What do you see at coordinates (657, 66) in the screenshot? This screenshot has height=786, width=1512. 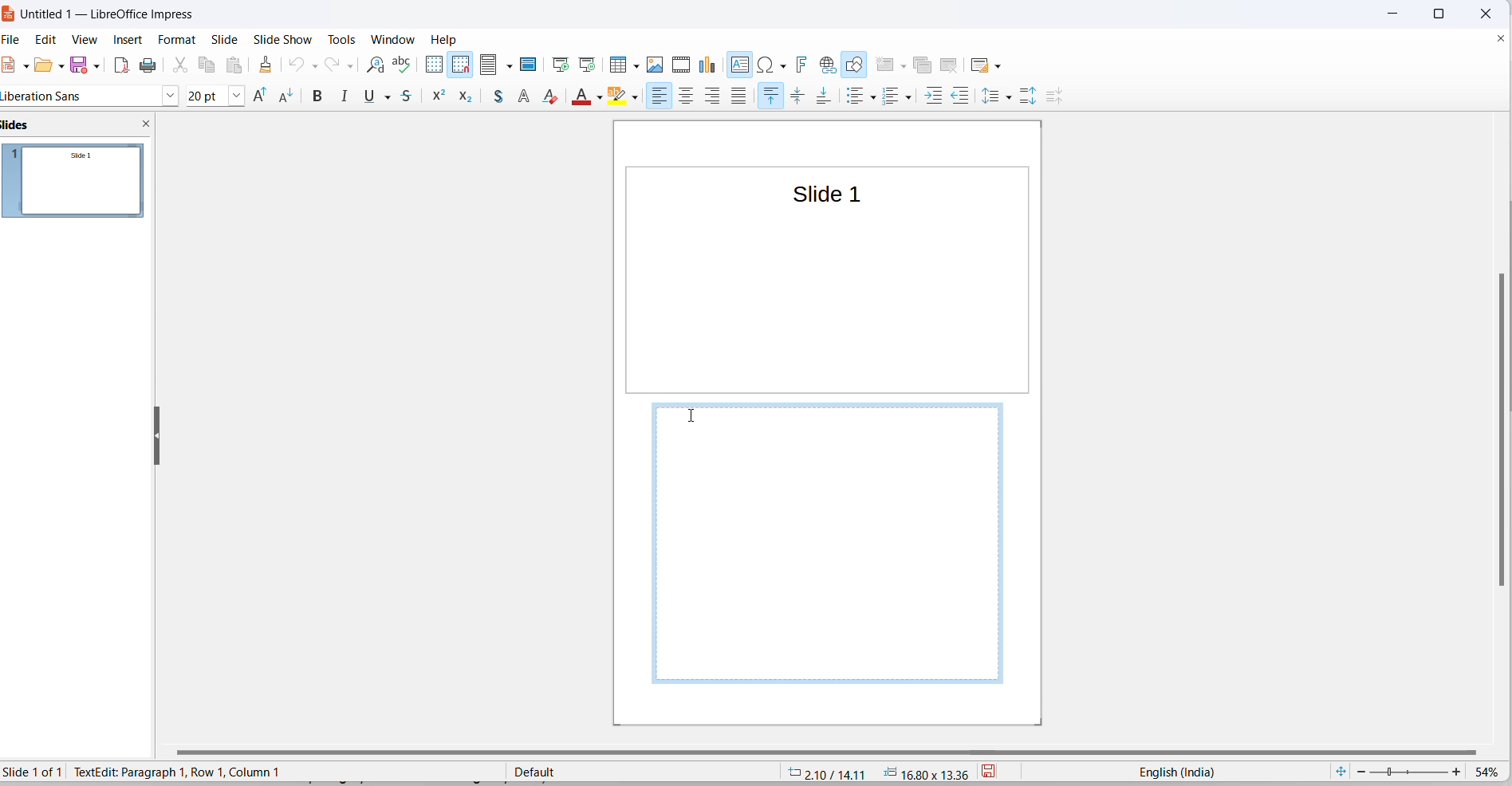 I see `insert images` at bounding box center [657, 66].